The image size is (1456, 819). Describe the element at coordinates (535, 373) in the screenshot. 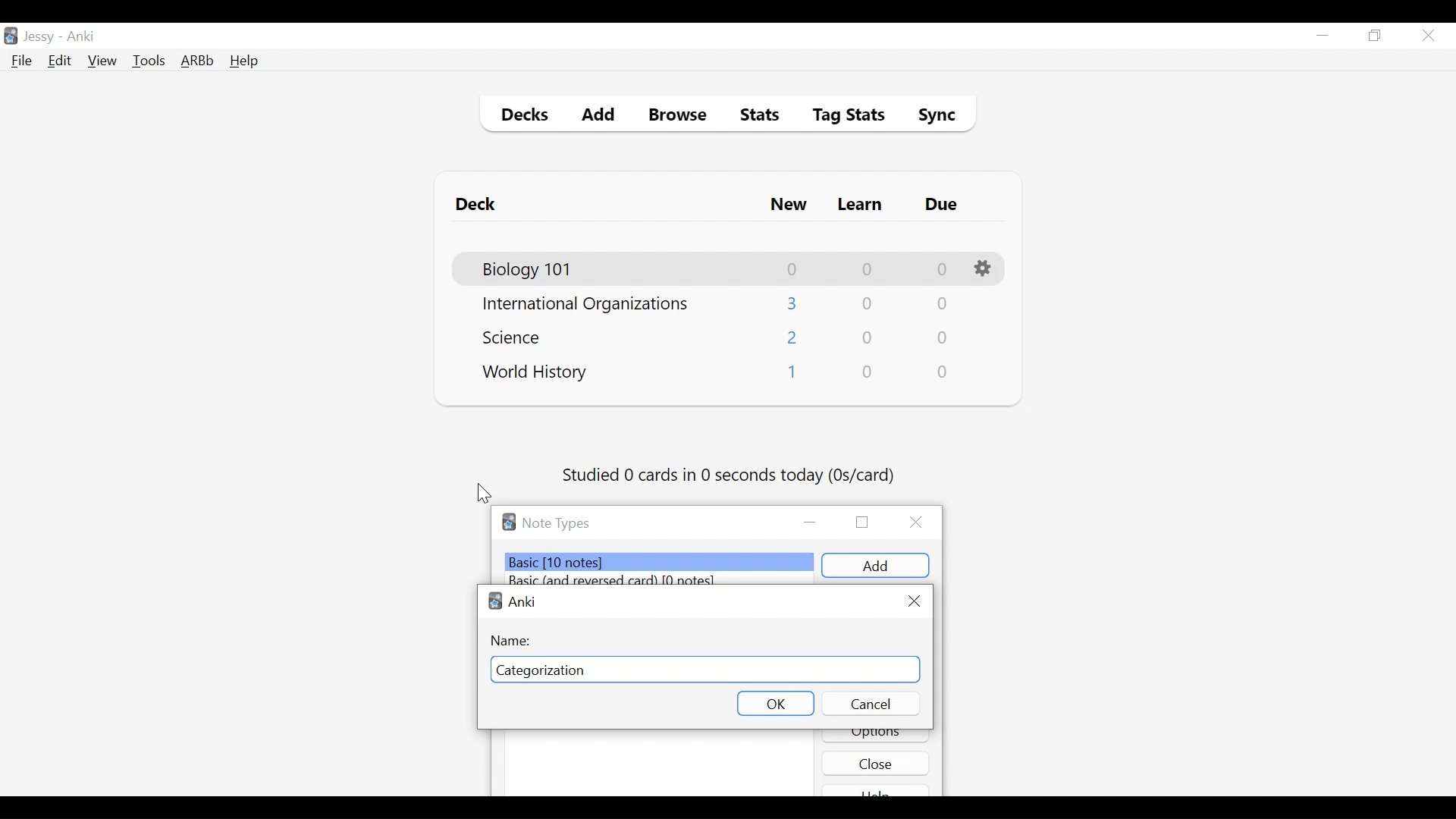

I see `Deck Name` at that location.